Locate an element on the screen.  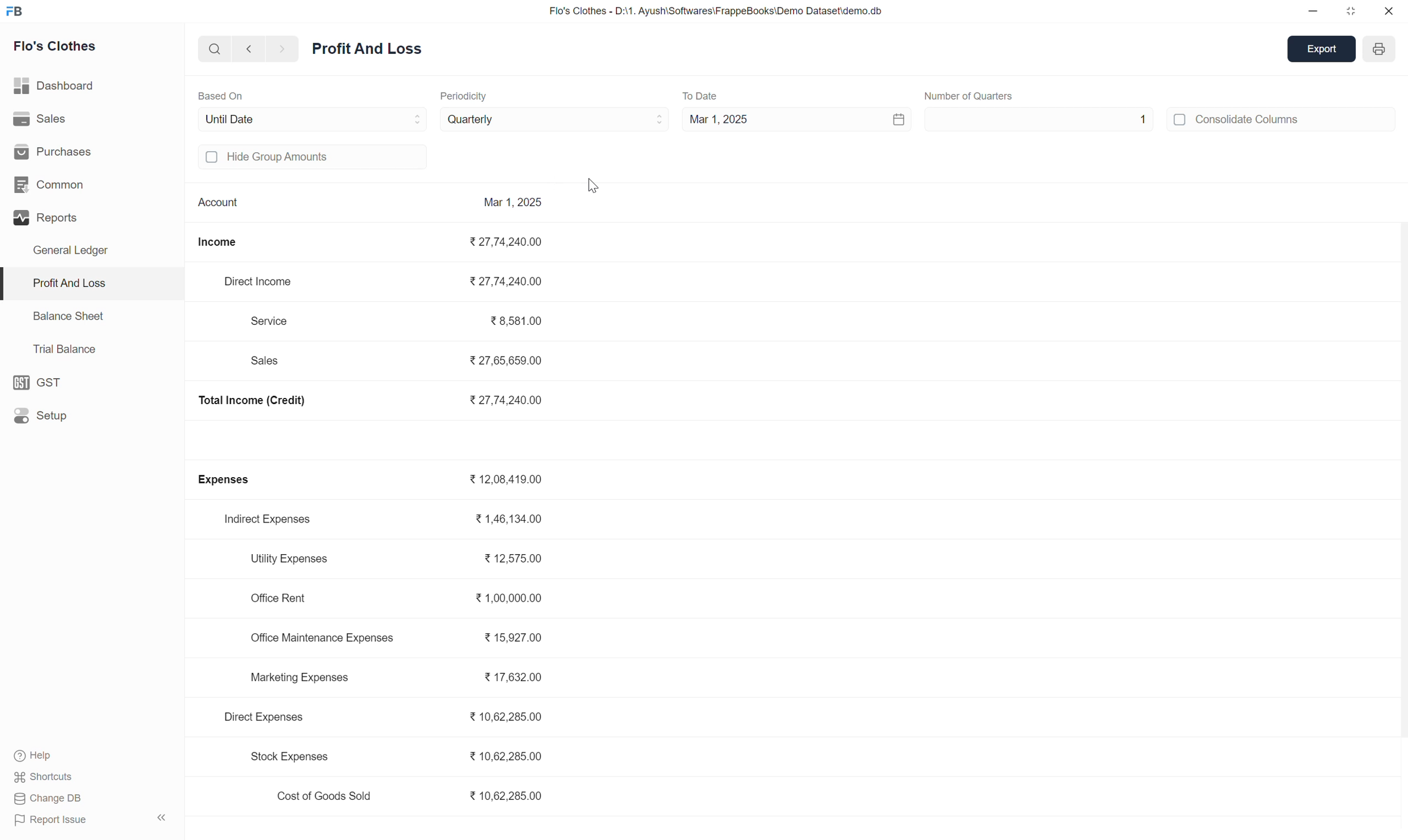
minimize is located at coordinates (1311, 12).